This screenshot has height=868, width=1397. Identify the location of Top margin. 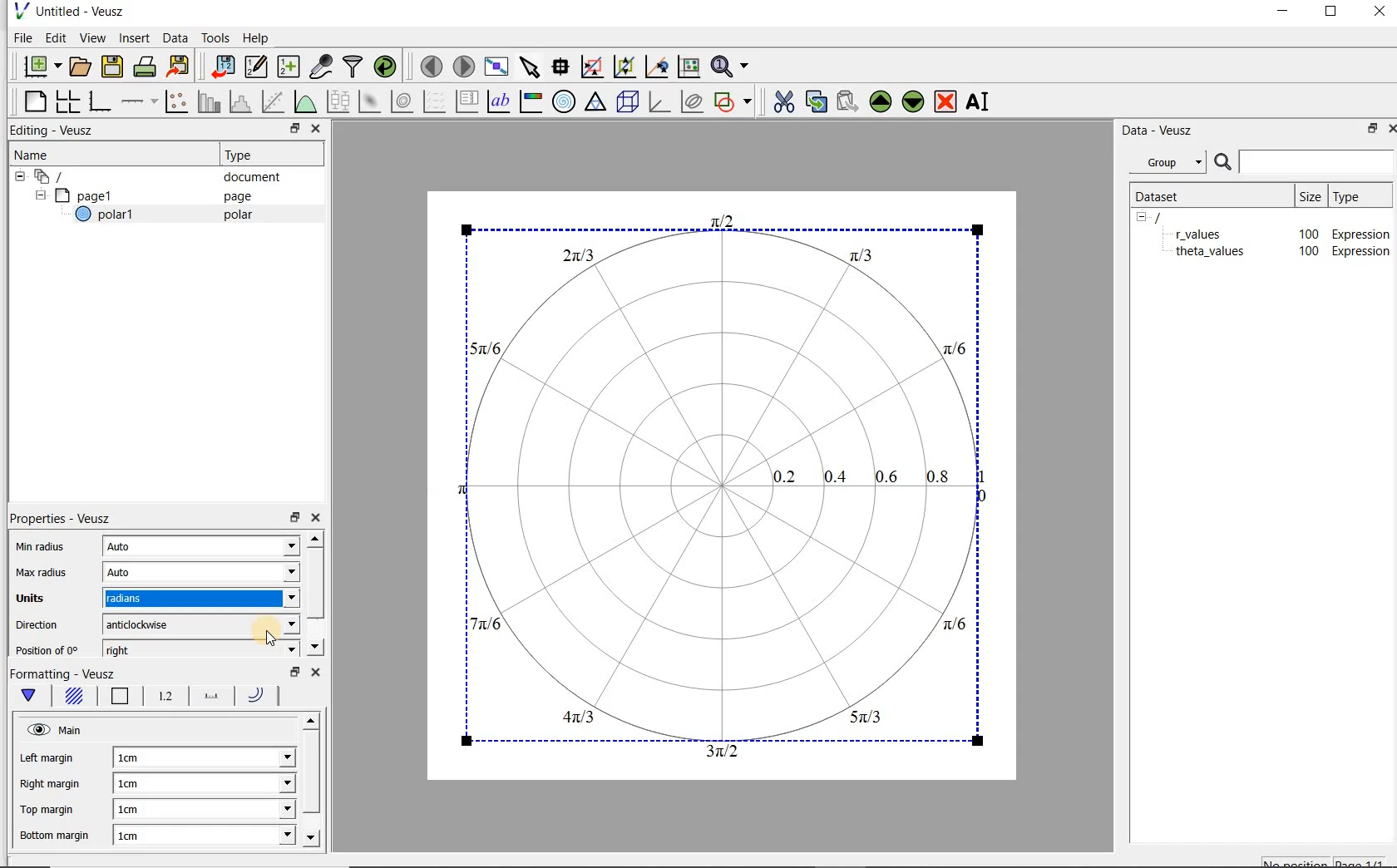
(49, 811).